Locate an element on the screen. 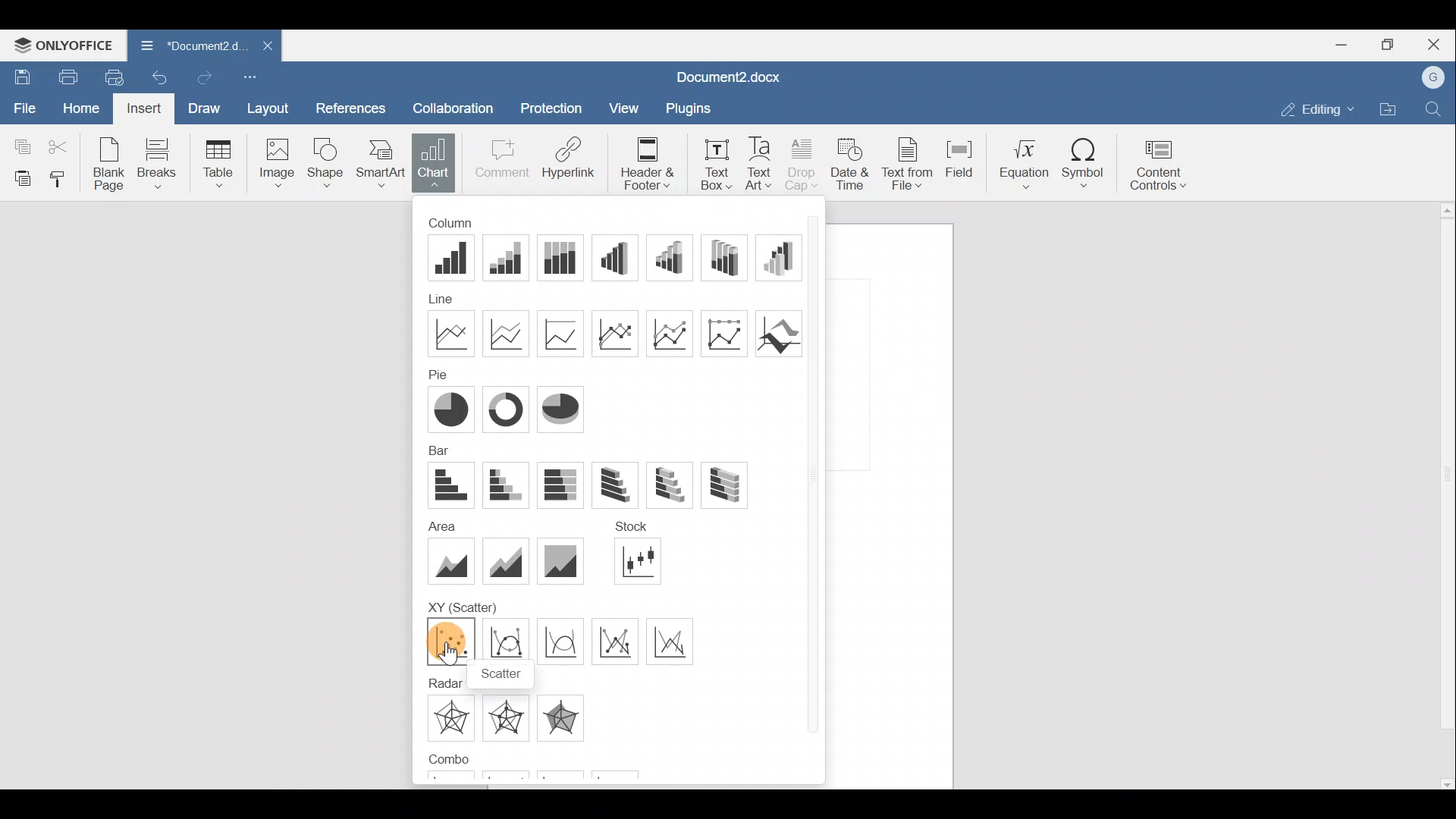 This screenshot has height=819, width=1456. Shape is located at coordinates (328, 164).